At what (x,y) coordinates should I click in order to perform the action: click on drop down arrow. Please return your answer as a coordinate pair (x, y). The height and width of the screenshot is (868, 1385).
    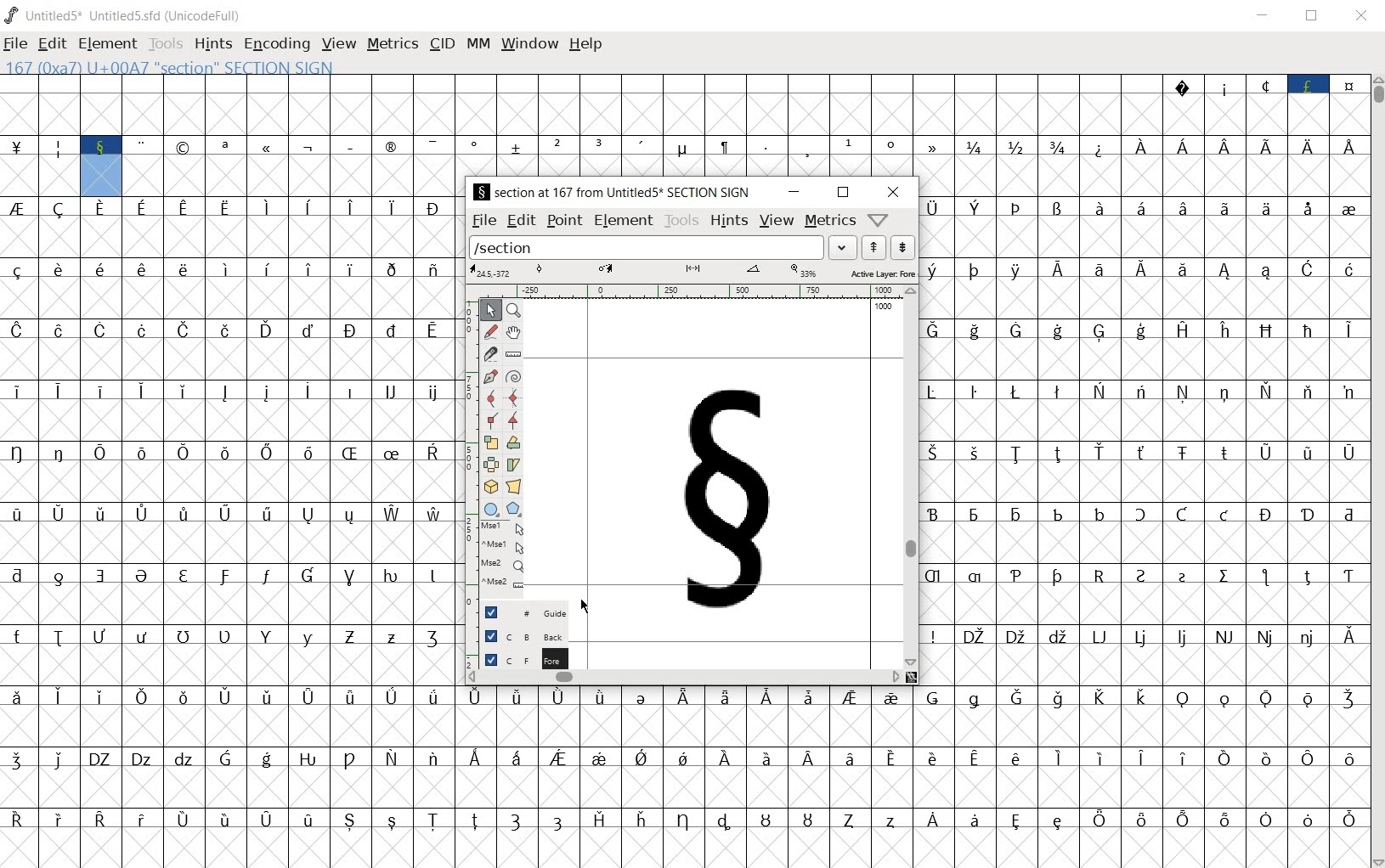
    Looking at the image, I should click on (839, 246).